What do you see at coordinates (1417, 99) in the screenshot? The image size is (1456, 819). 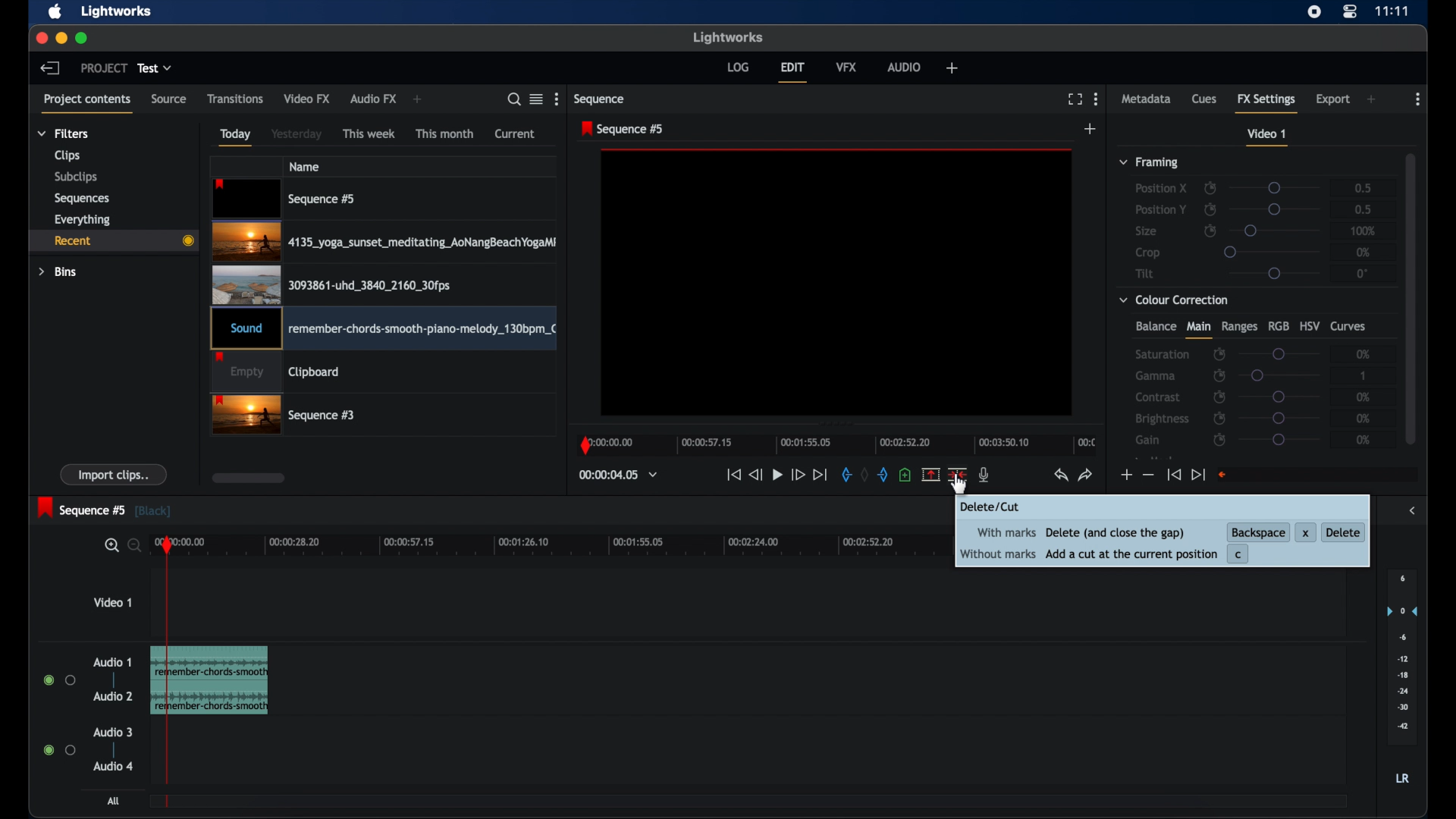 I see `more options` at bounding box center [1417, 99].